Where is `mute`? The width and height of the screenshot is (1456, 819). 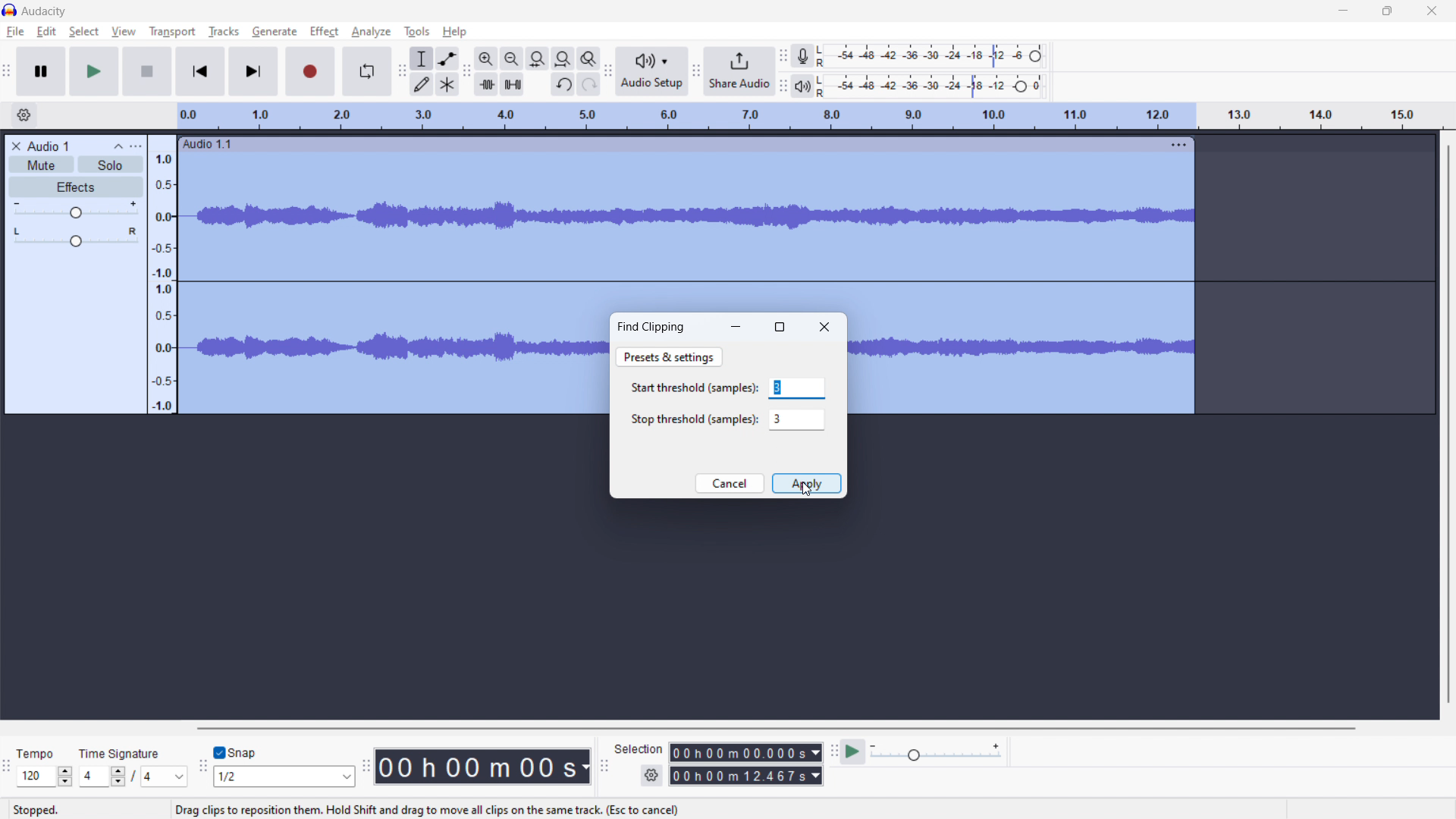 mute is located at coordinates (42, 165).